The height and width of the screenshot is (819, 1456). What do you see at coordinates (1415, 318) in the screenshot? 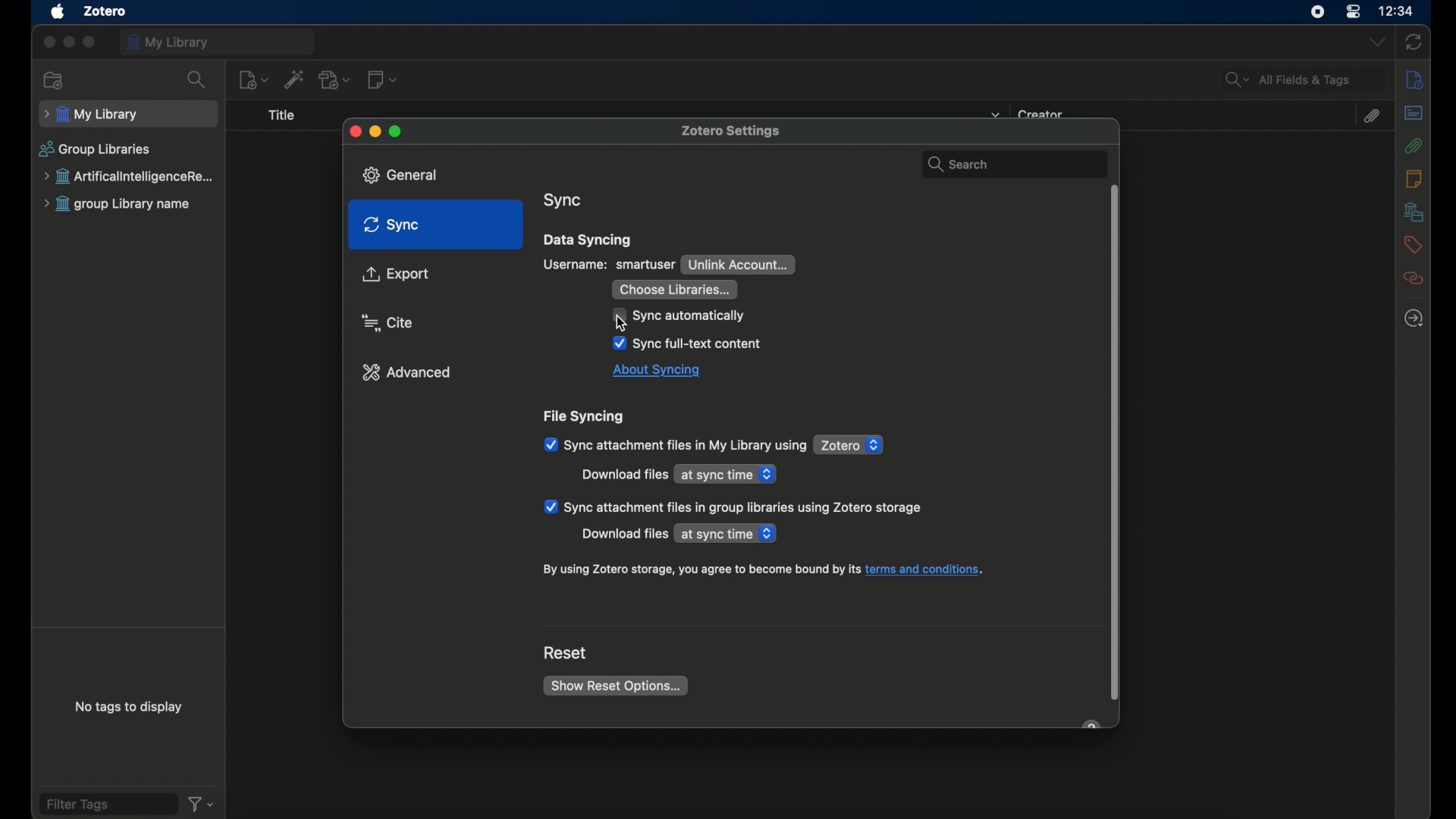
I see `locate` at bounding box center [1415, 318].